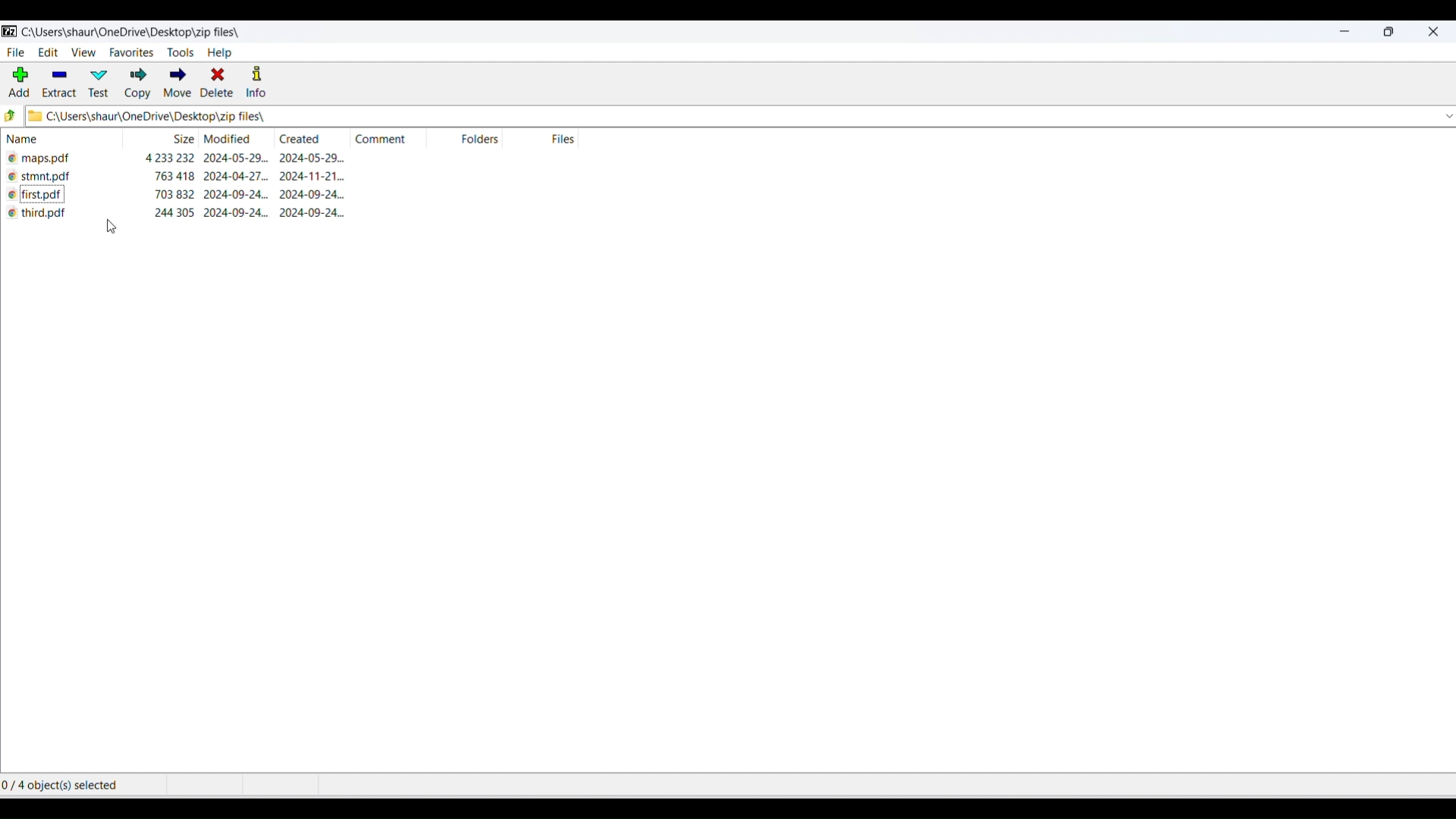 This screenshot has width=1456, height=819. What do you see at coordinates (218, 83) in the screenshot?
I see `delete` at bounding box center [218, 83].